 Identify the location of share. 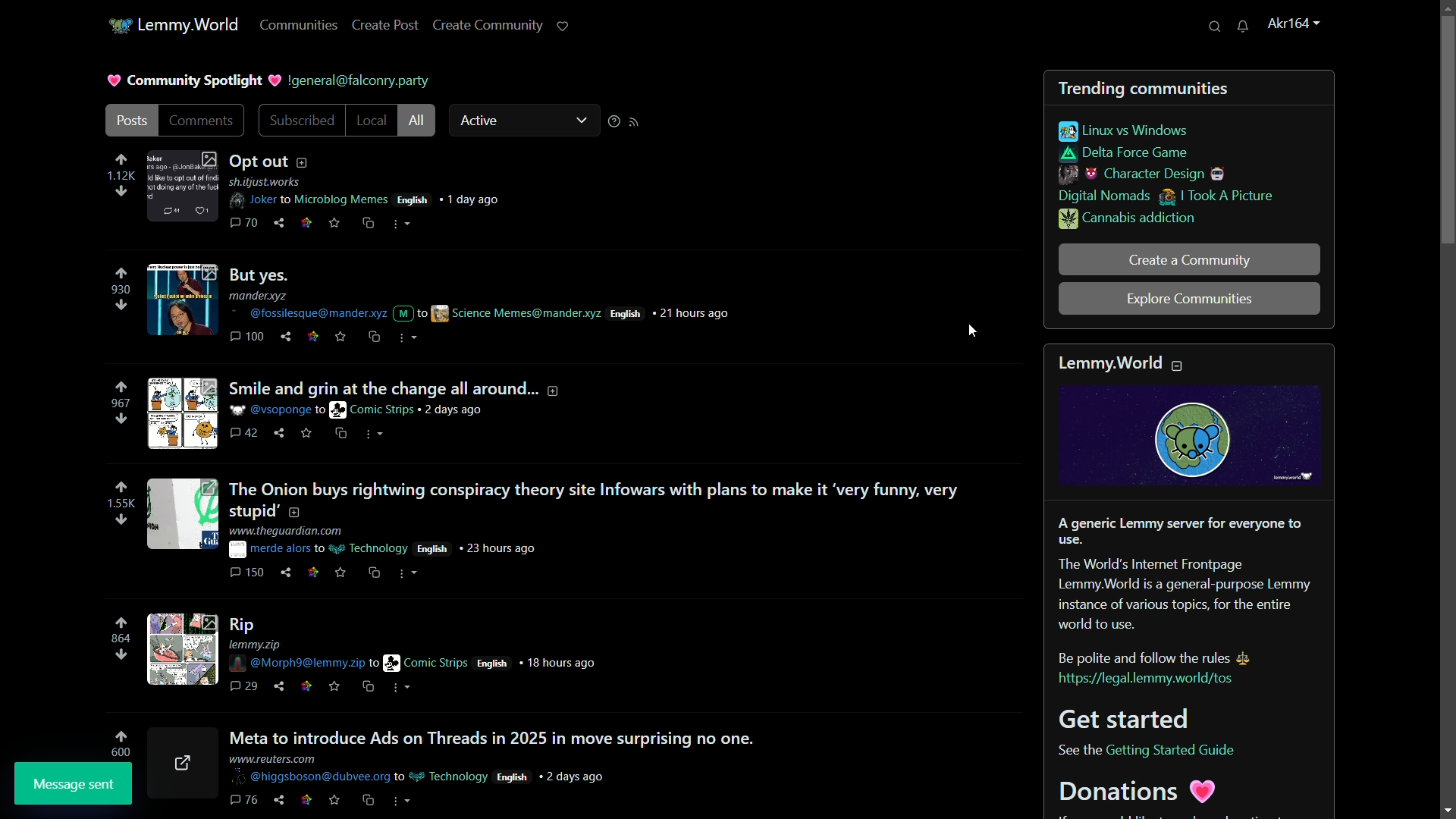
(281, 802).